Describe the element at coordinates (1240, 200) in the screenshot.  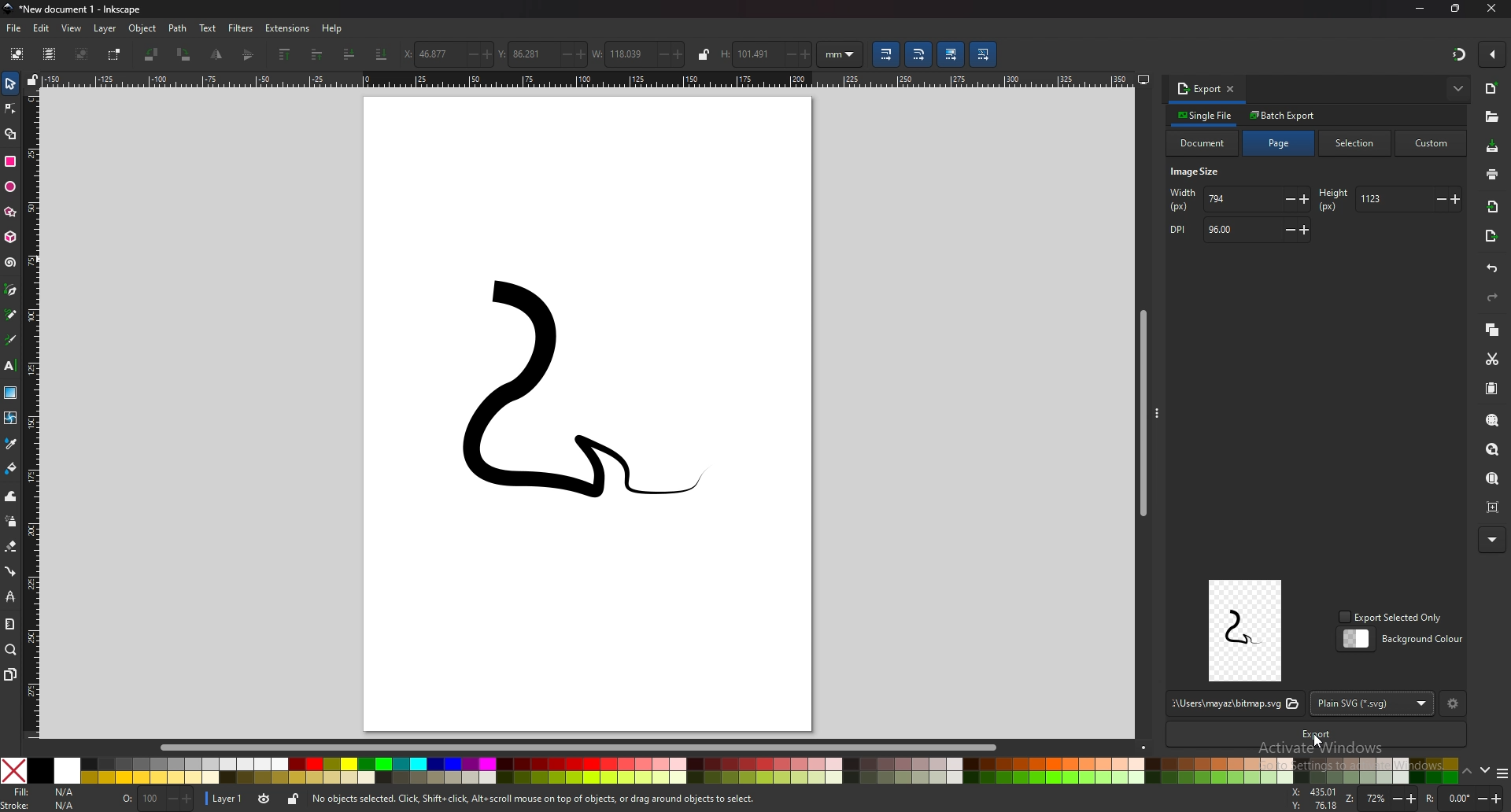
I see `width` at that location.